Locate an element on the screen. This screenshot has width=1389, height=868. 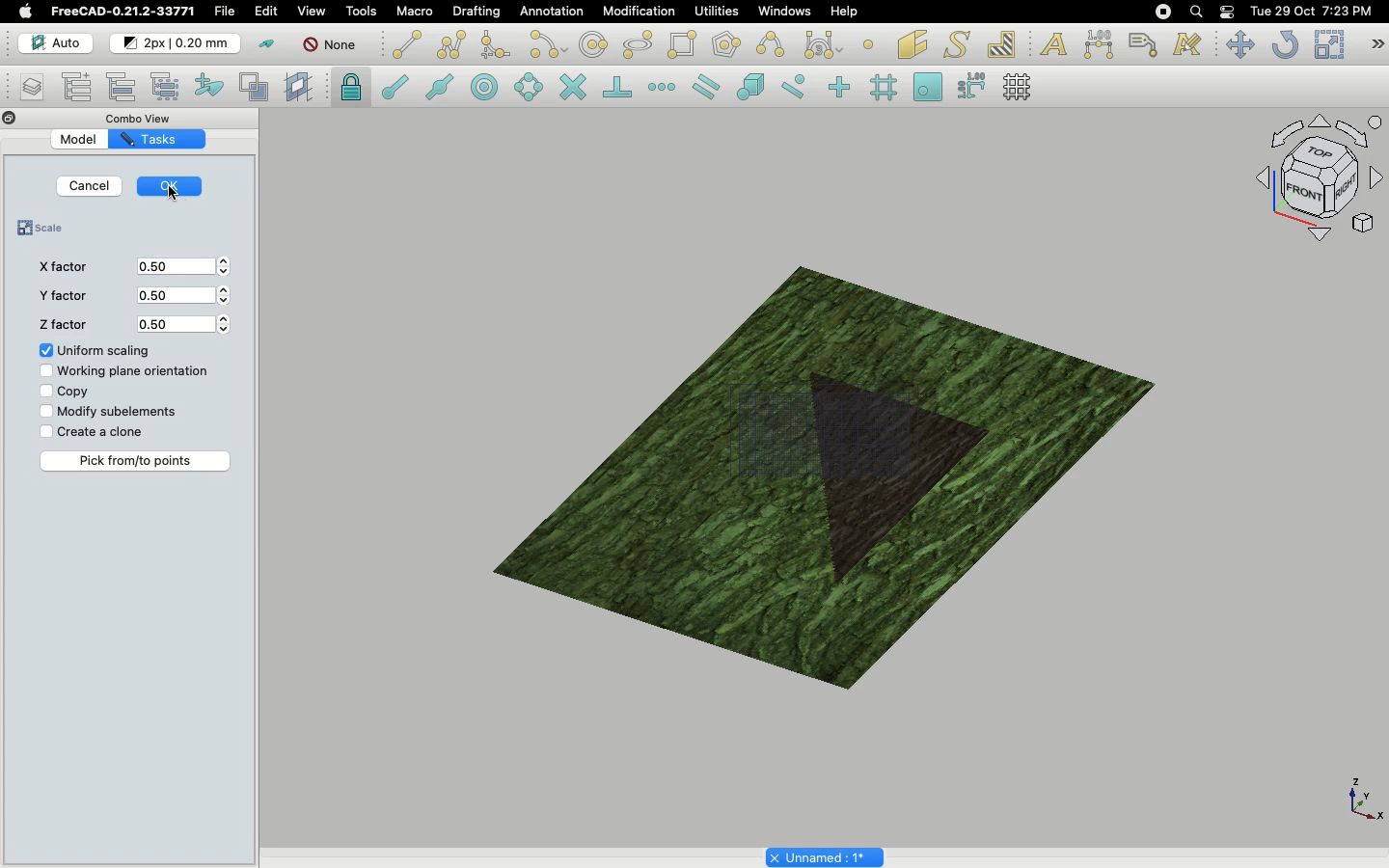
Notification is located at coordinates (1228, 11).